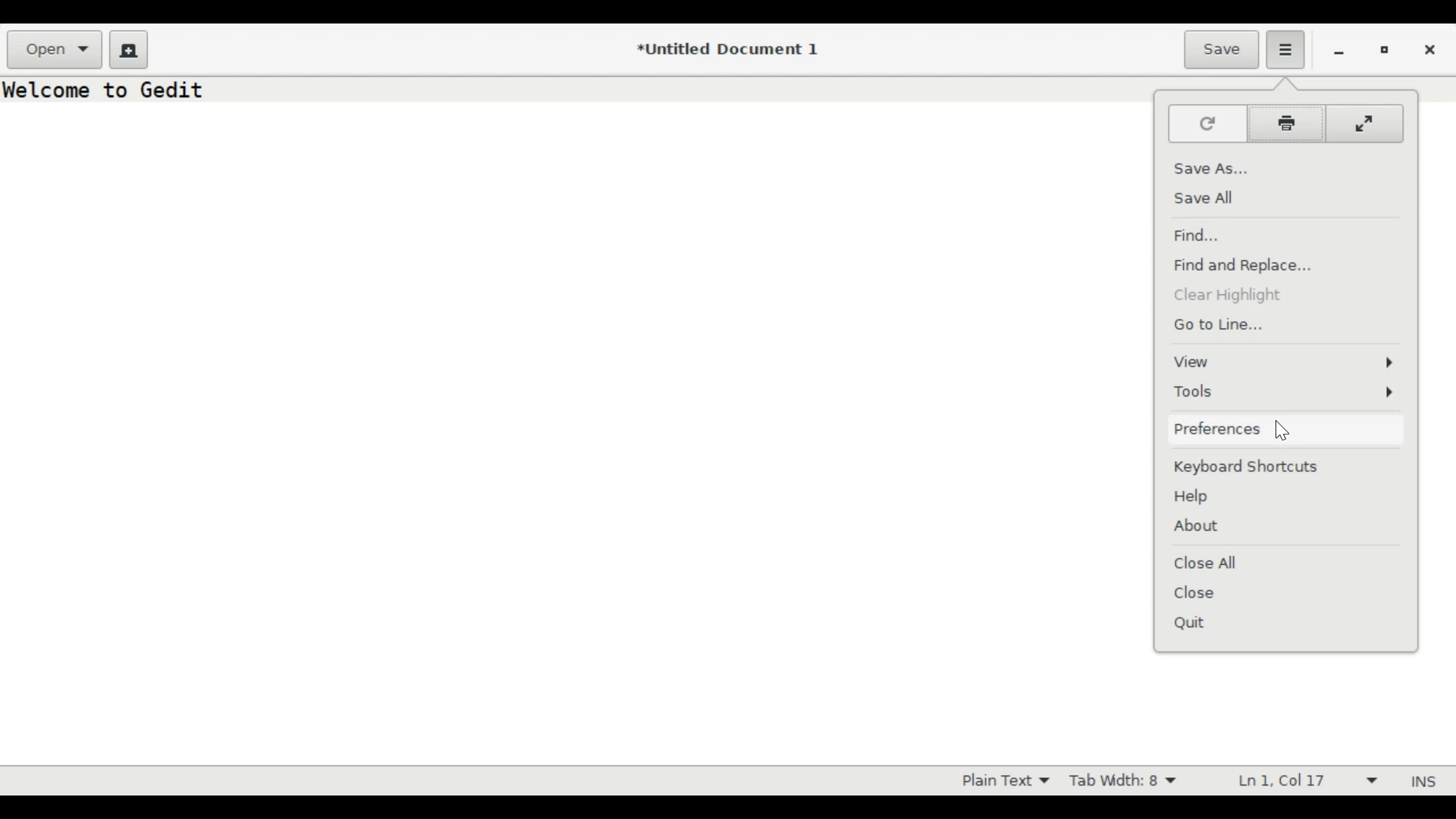 The height and width of the screenshot is (819, 1456). Describe the element at coordinates (1229, 297) in the screenshot. I see `Clear Highlights` at that location.